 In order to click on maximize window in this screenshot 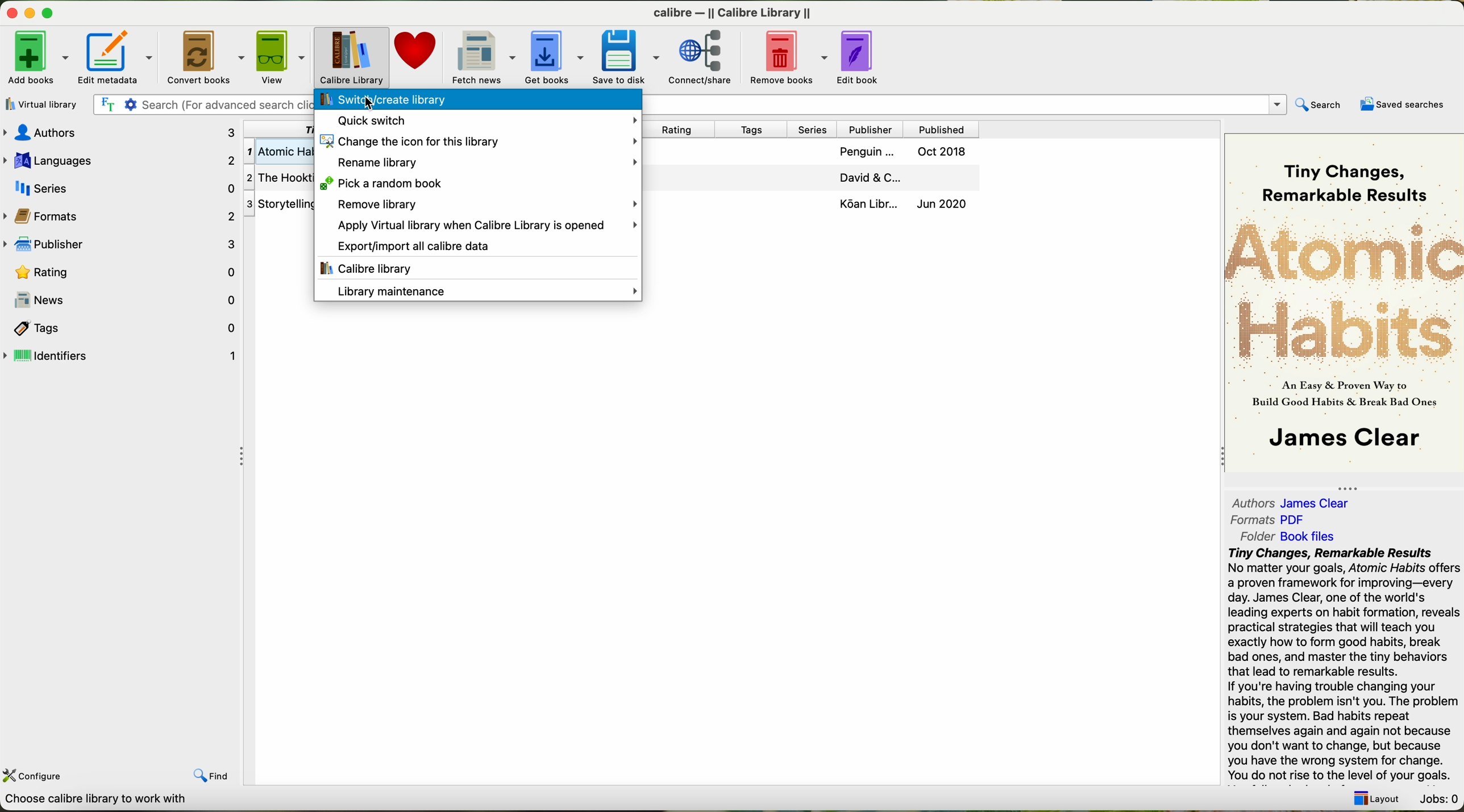, I will do `click(51, 11)`.